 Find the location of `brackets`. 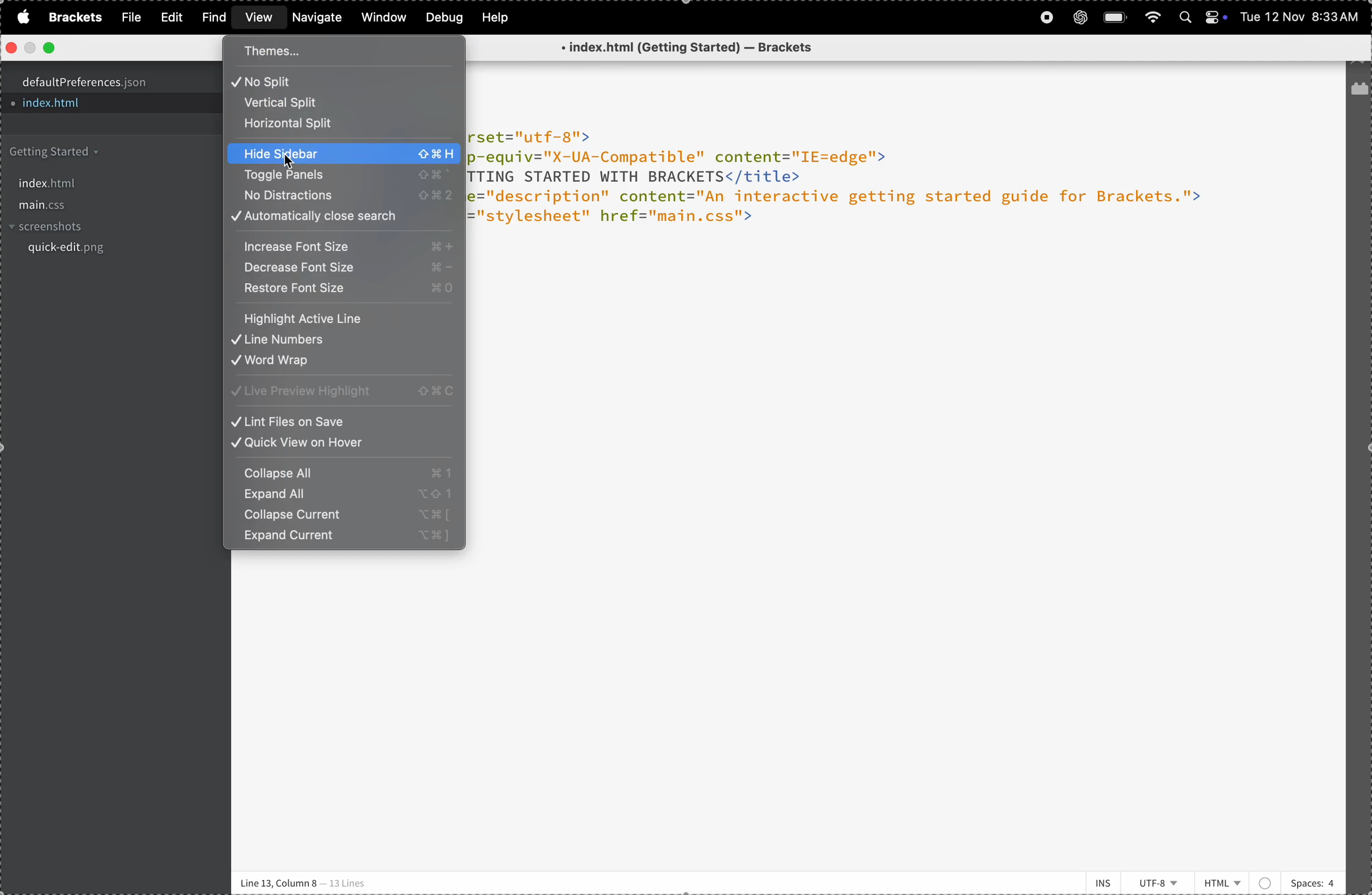

brackets is located at coordinates (72, 17).